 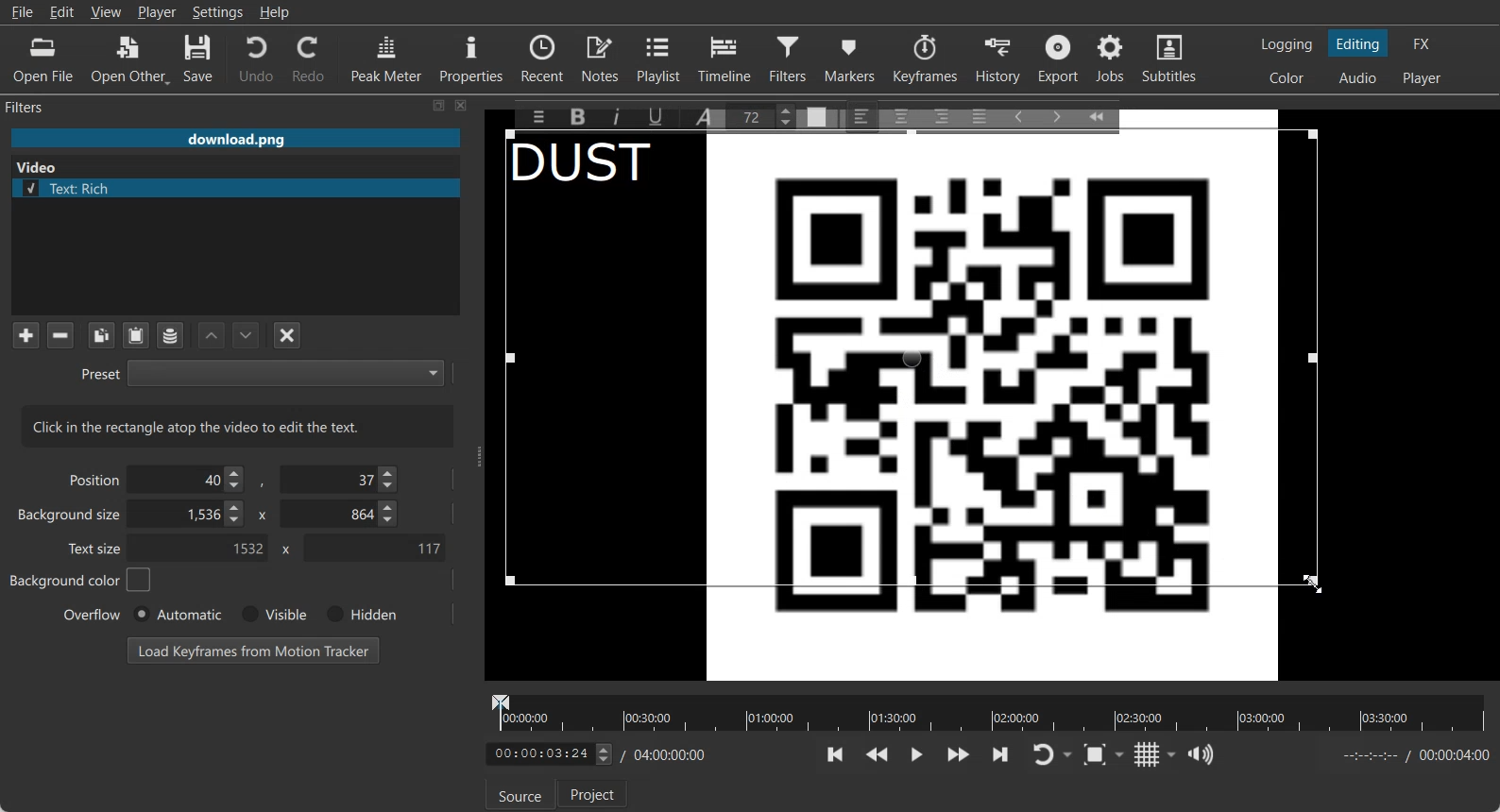 What do you see at coordinates (1097, 755) in the screenshot?
I see `Toggle Zoom` at bounding box center [1097, 755].